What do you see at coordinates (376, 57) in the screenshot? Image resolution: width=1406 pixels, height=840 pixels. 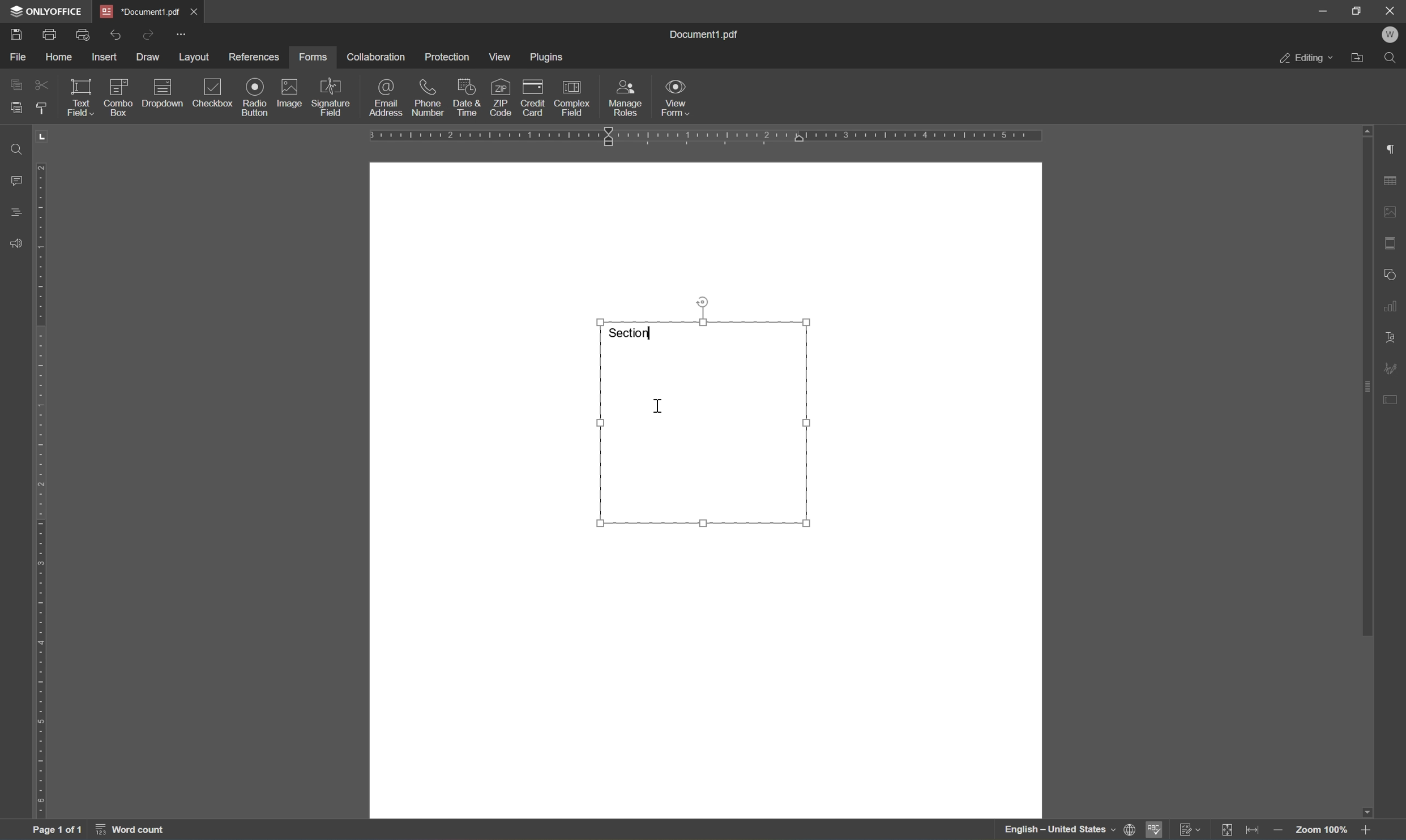 I see `collaboration` at bounding box center [376, 57].